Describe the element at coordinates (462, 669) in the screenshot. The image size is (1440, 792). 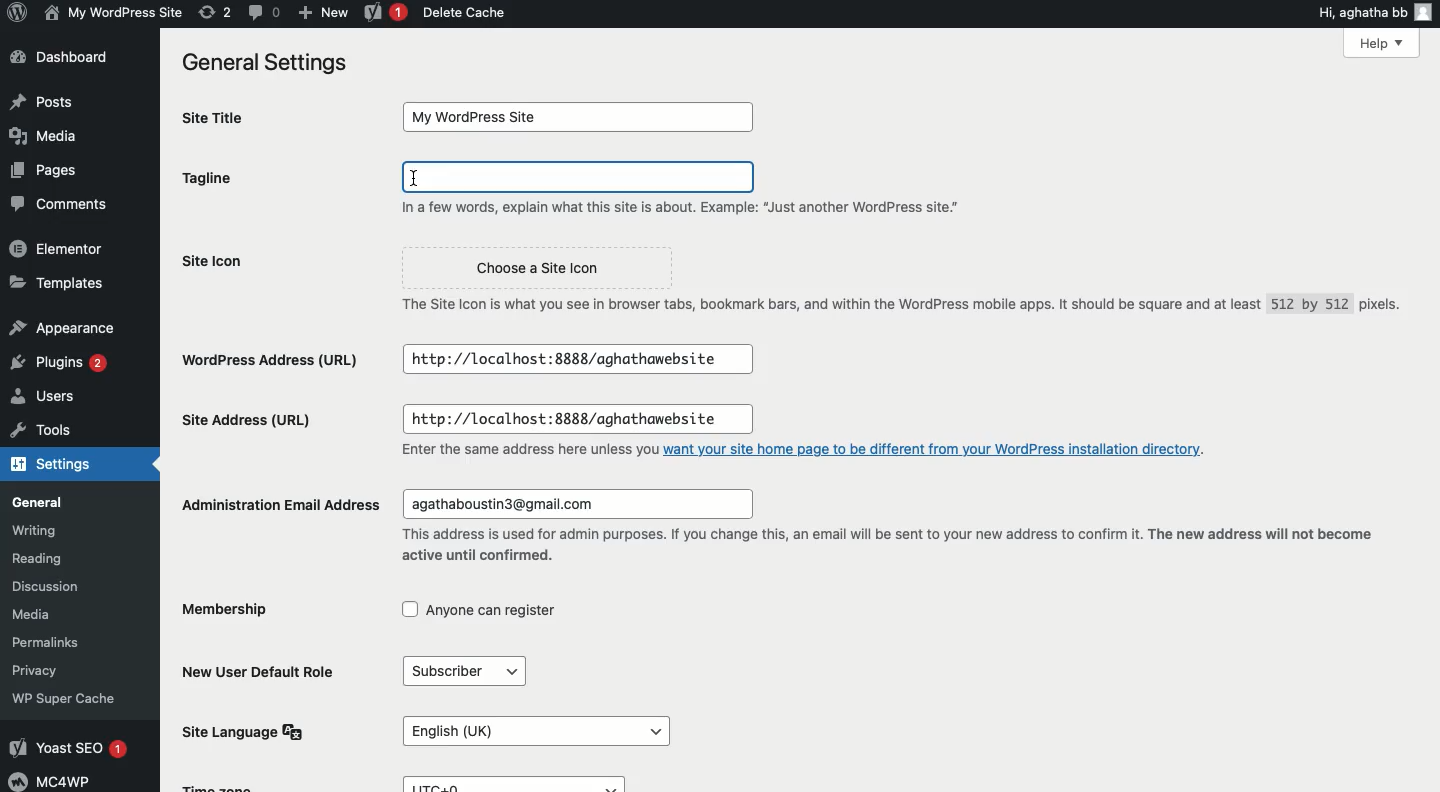
I see `Subscriber` at that location.